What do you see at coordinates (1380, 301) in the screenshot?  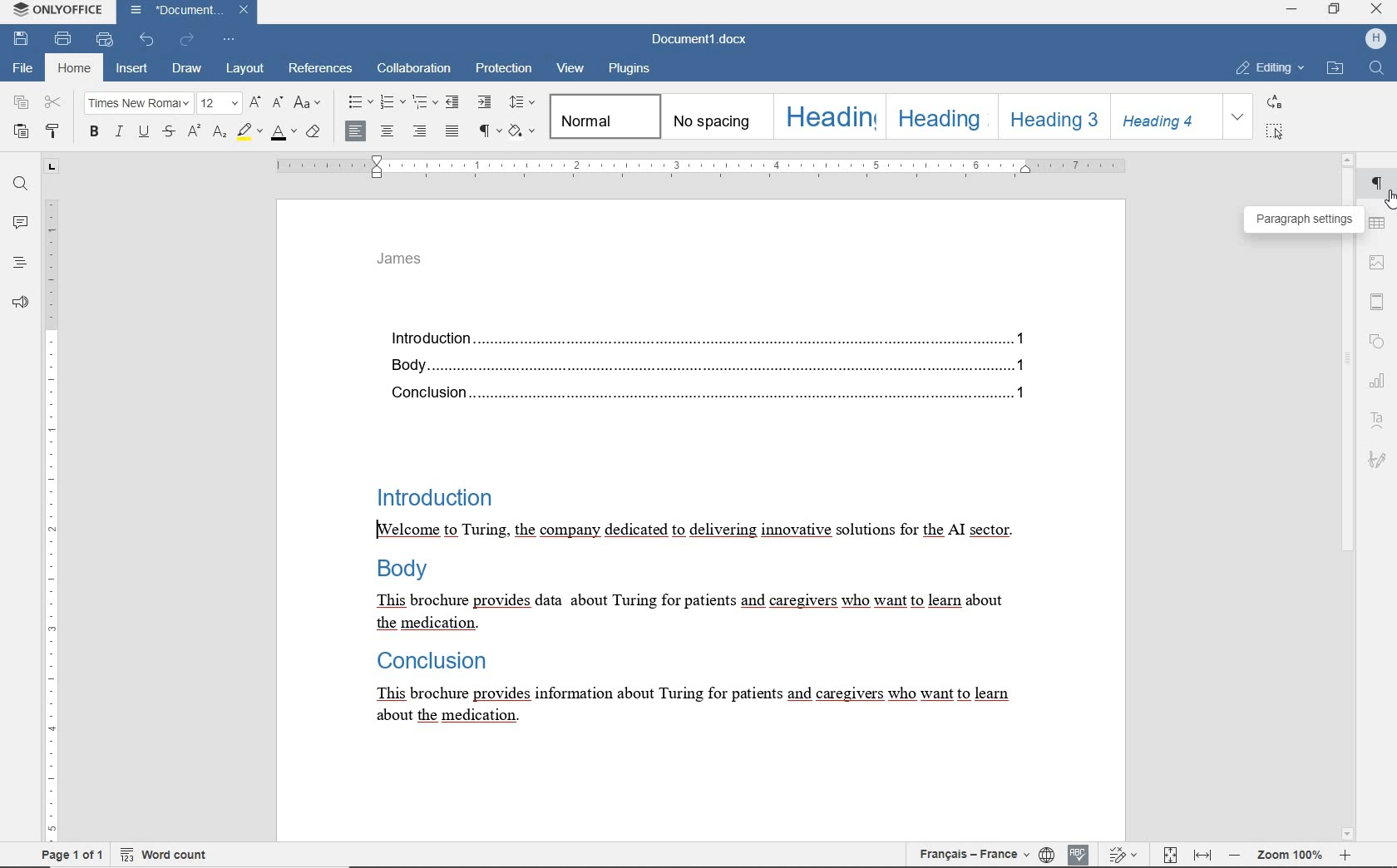 I see `header & footer` at bounding box center [1380, 301].